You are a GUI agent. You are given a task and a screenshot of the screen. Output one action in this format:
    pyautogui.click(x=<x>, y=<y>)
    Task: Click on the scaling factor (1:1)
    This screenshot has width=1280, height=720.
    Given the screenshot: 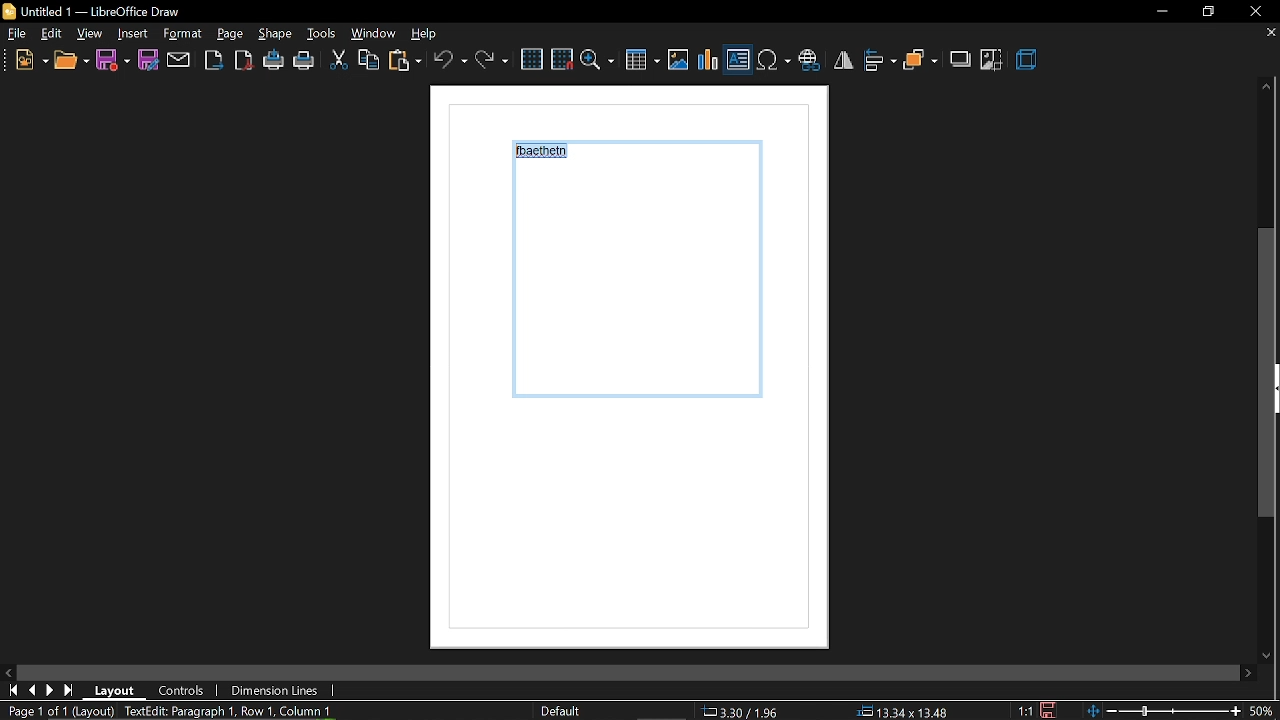 What is the action you would take?
    pyautogui.click(x=1025, y=709)
    